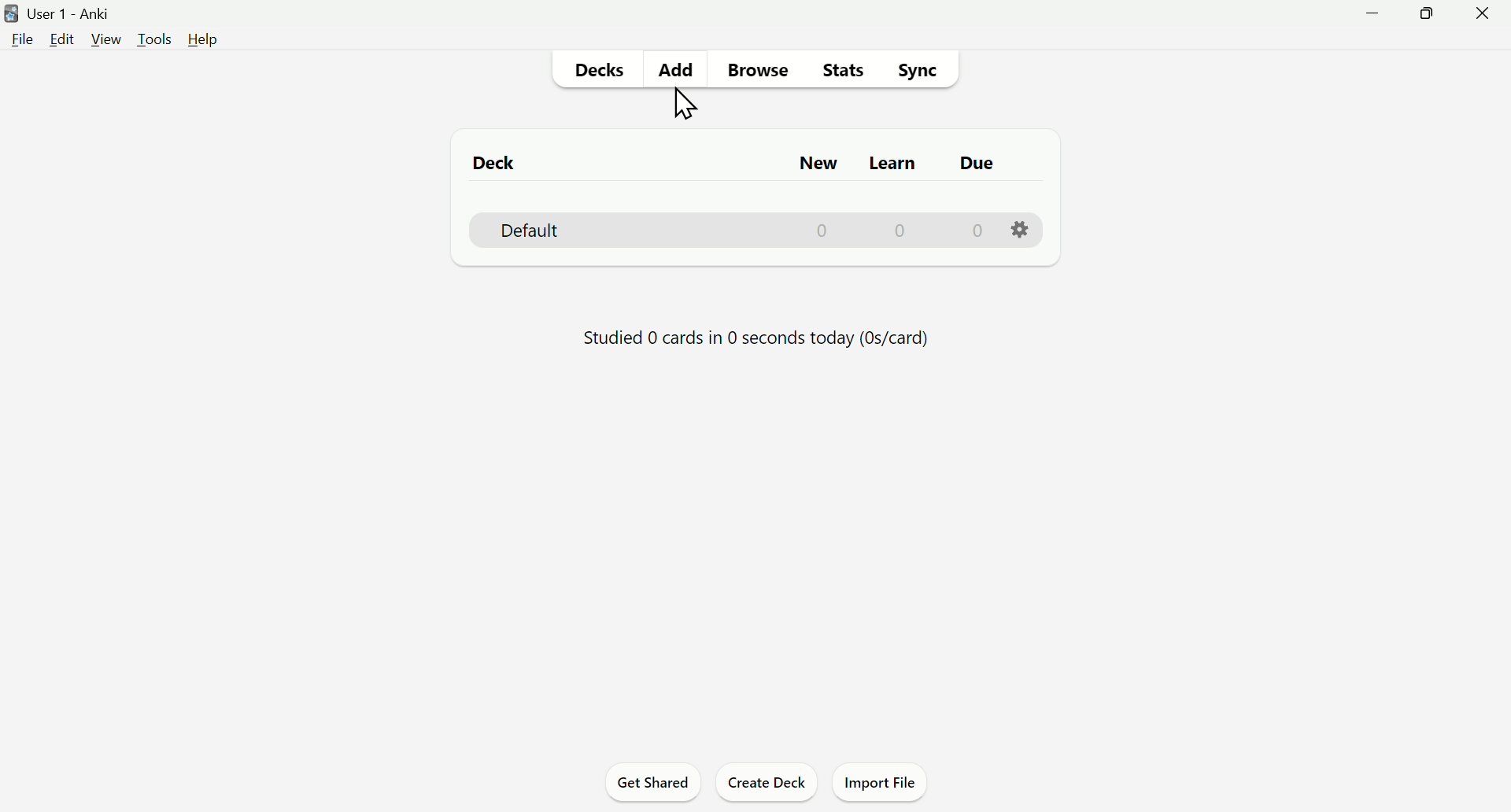  Describe the element at coordinates (895, 164) in the screenshot. I see `Learn` at that location.